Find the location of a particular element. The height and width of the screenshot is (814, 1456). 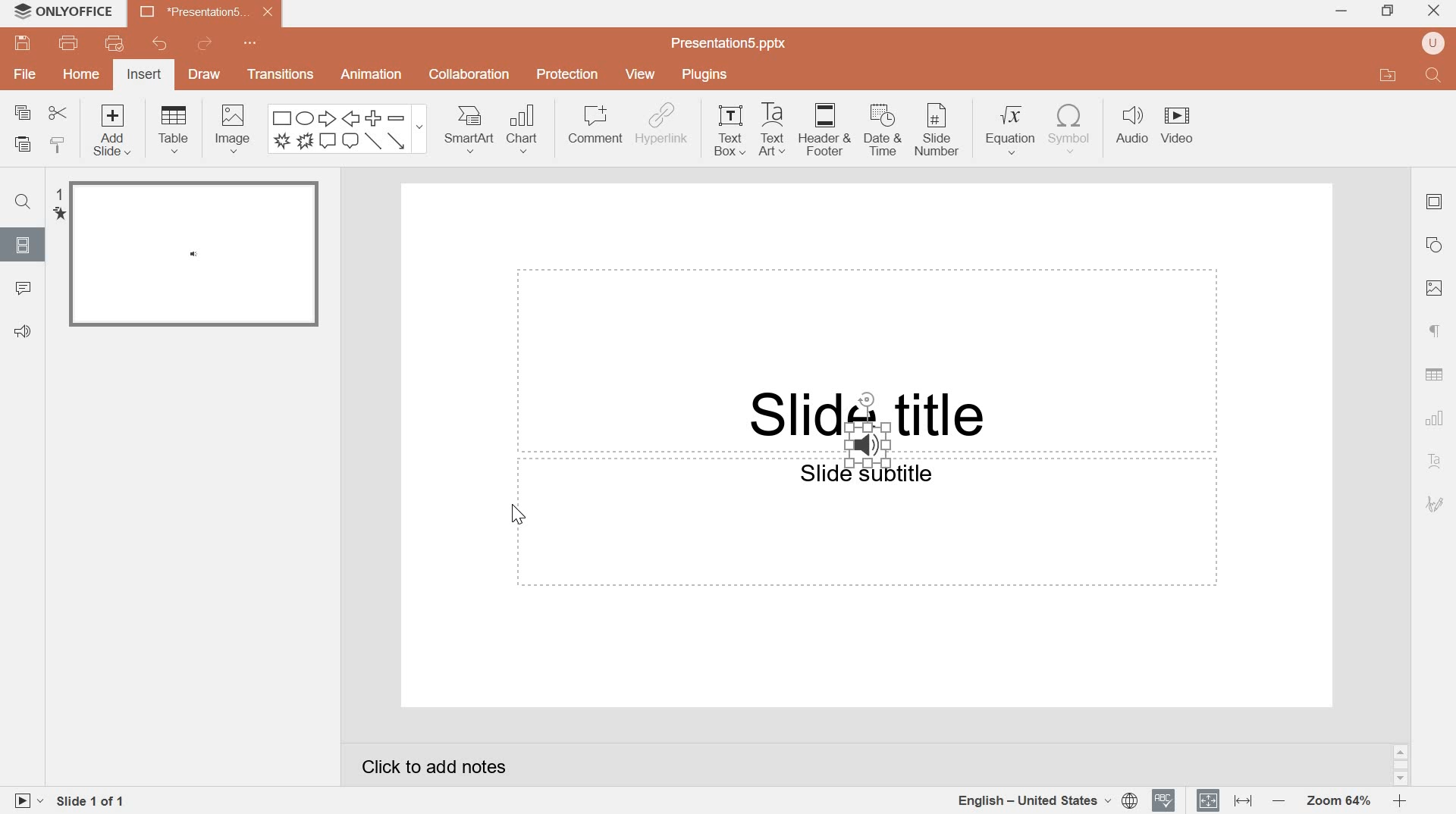

spell checking is located at coordinates (1164, 800).